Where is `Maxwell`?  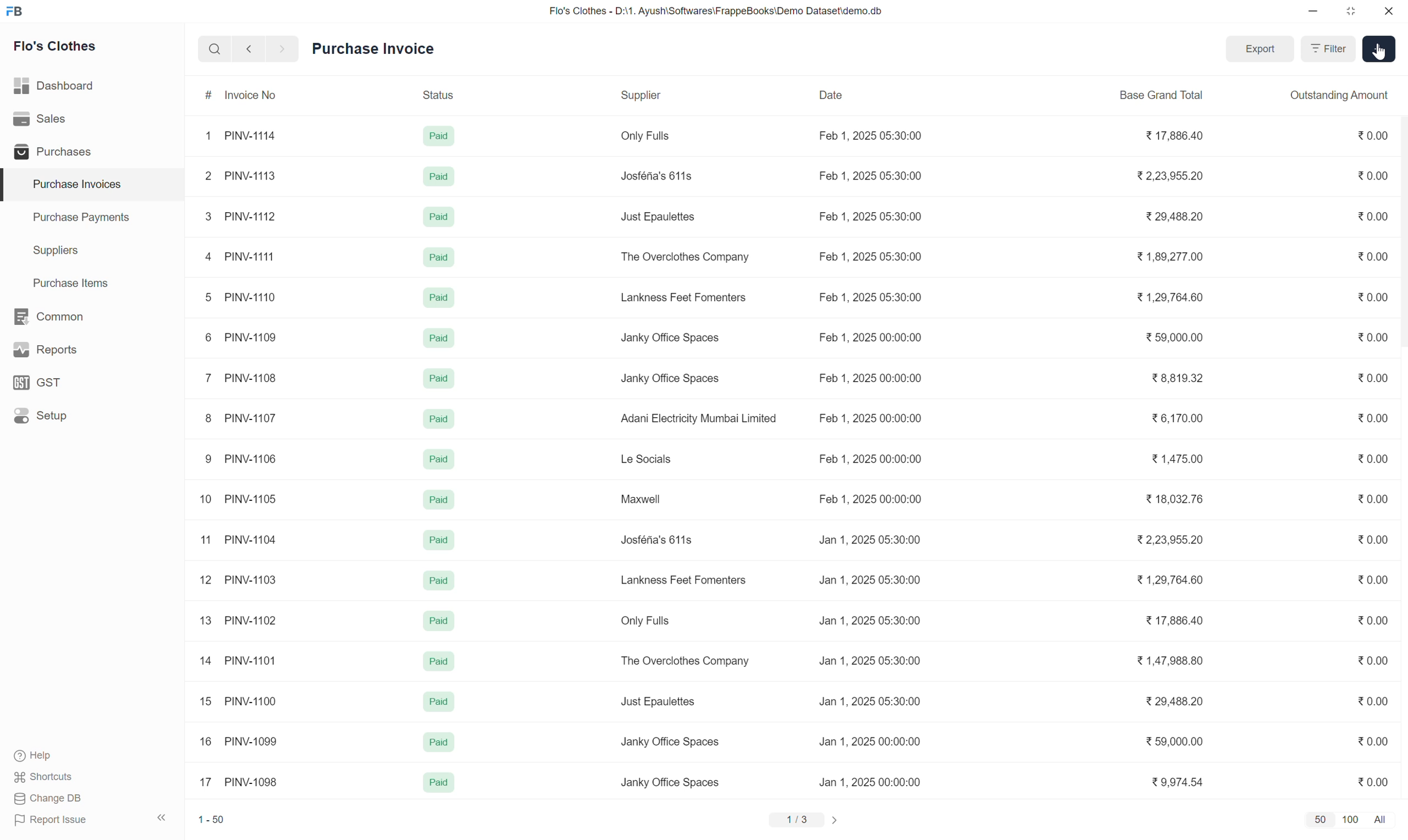
Maxwell is located at coordinates (643, 499).